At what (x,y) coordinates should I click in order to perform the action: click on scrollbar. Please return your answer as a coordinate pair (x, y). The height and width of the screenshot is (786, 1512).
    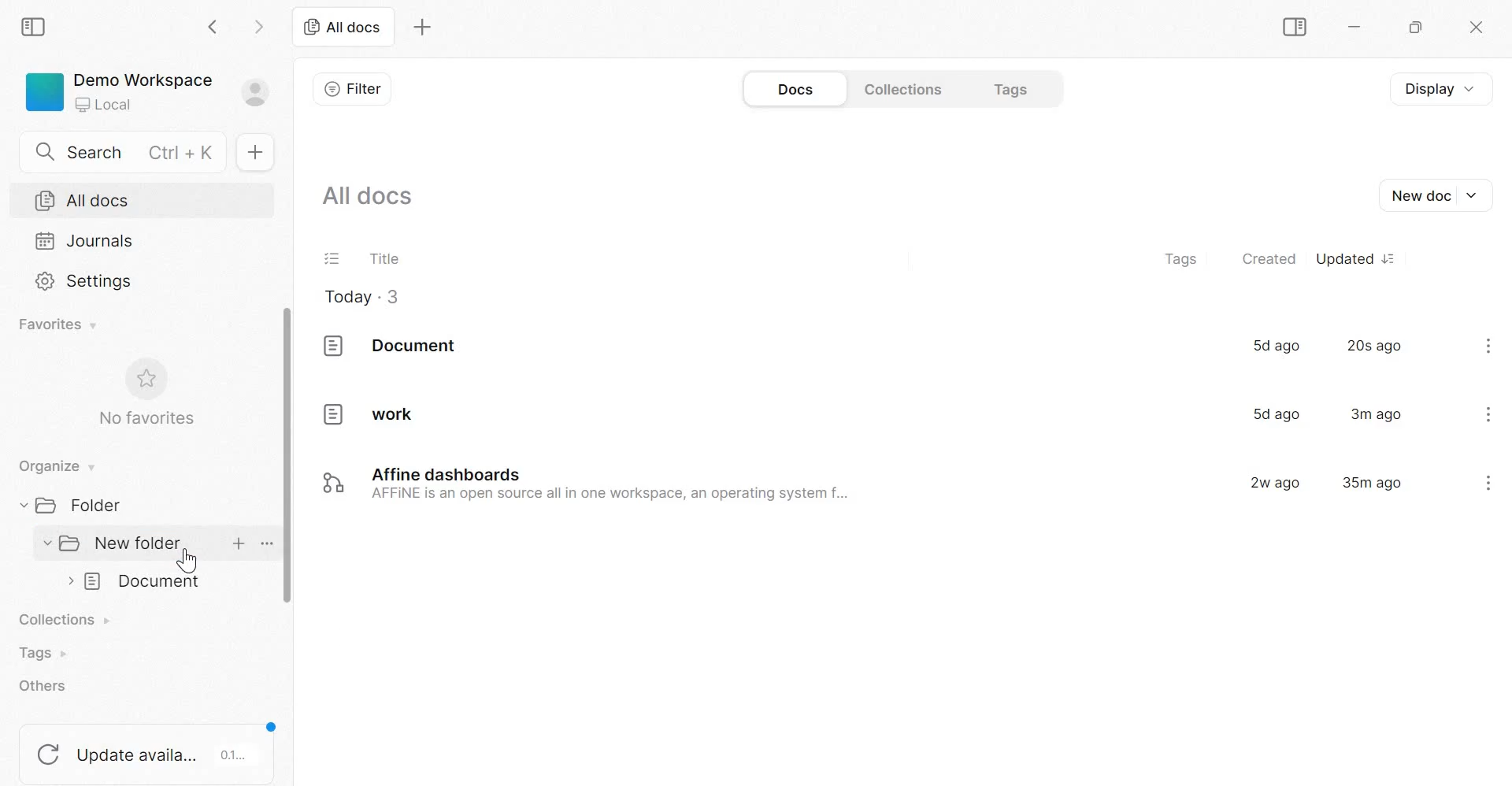
    Looking at the image, I should click on (291, 454).